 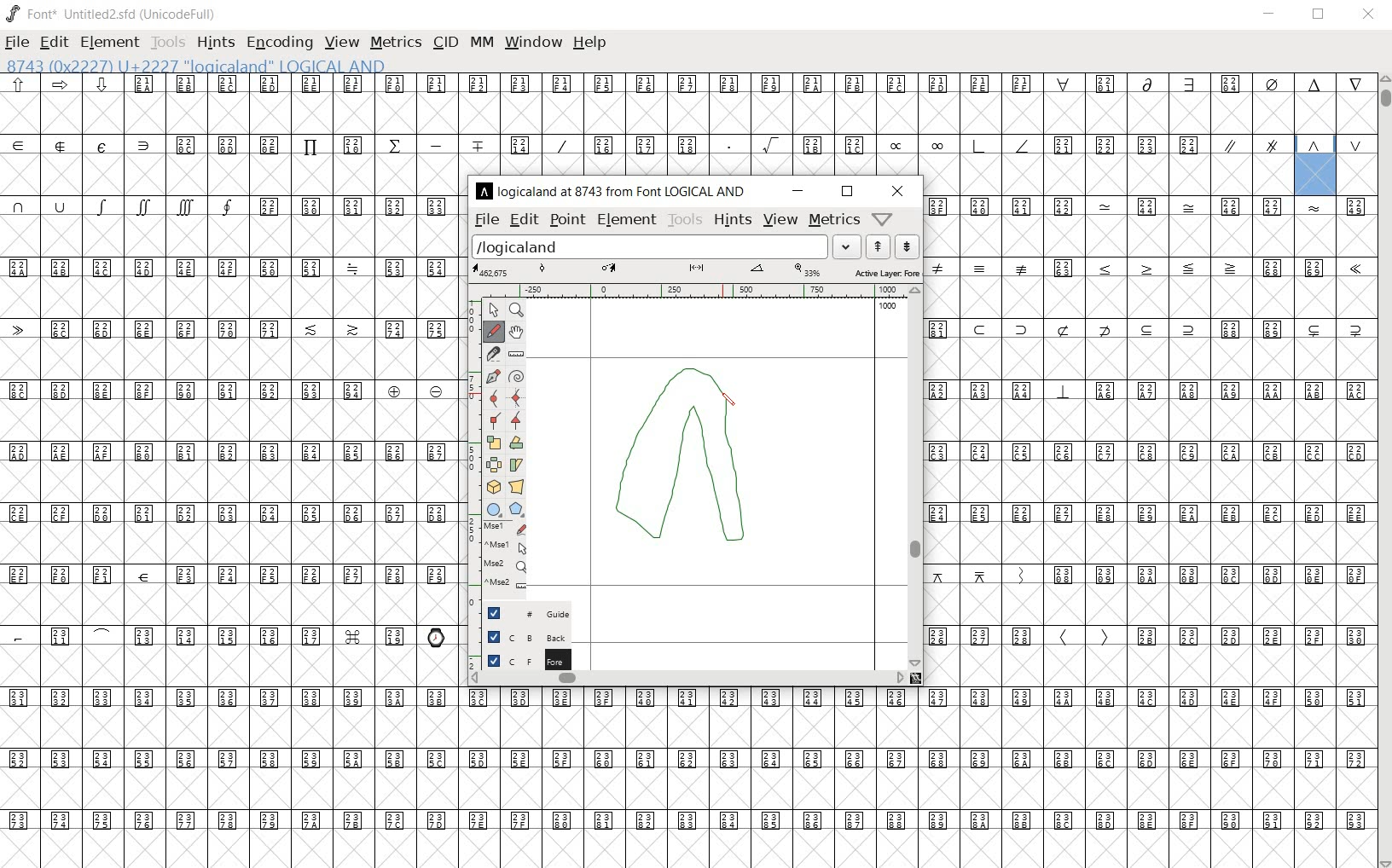 I want to click on rotate the selection in 3D and project back to plane, so click(x=493, y=488).